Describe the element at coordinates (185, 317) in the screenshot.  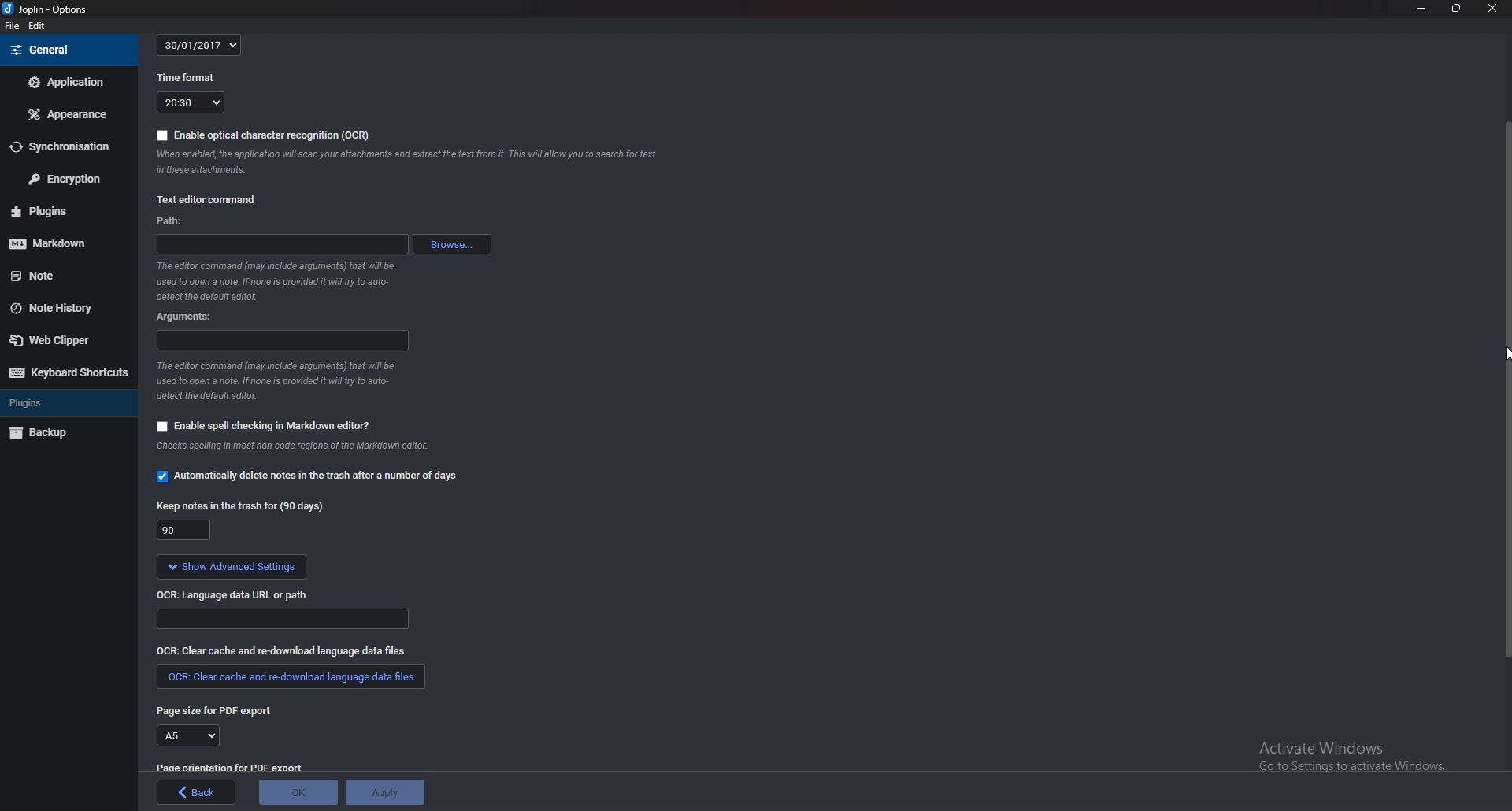
I see `Arguments` at that location.